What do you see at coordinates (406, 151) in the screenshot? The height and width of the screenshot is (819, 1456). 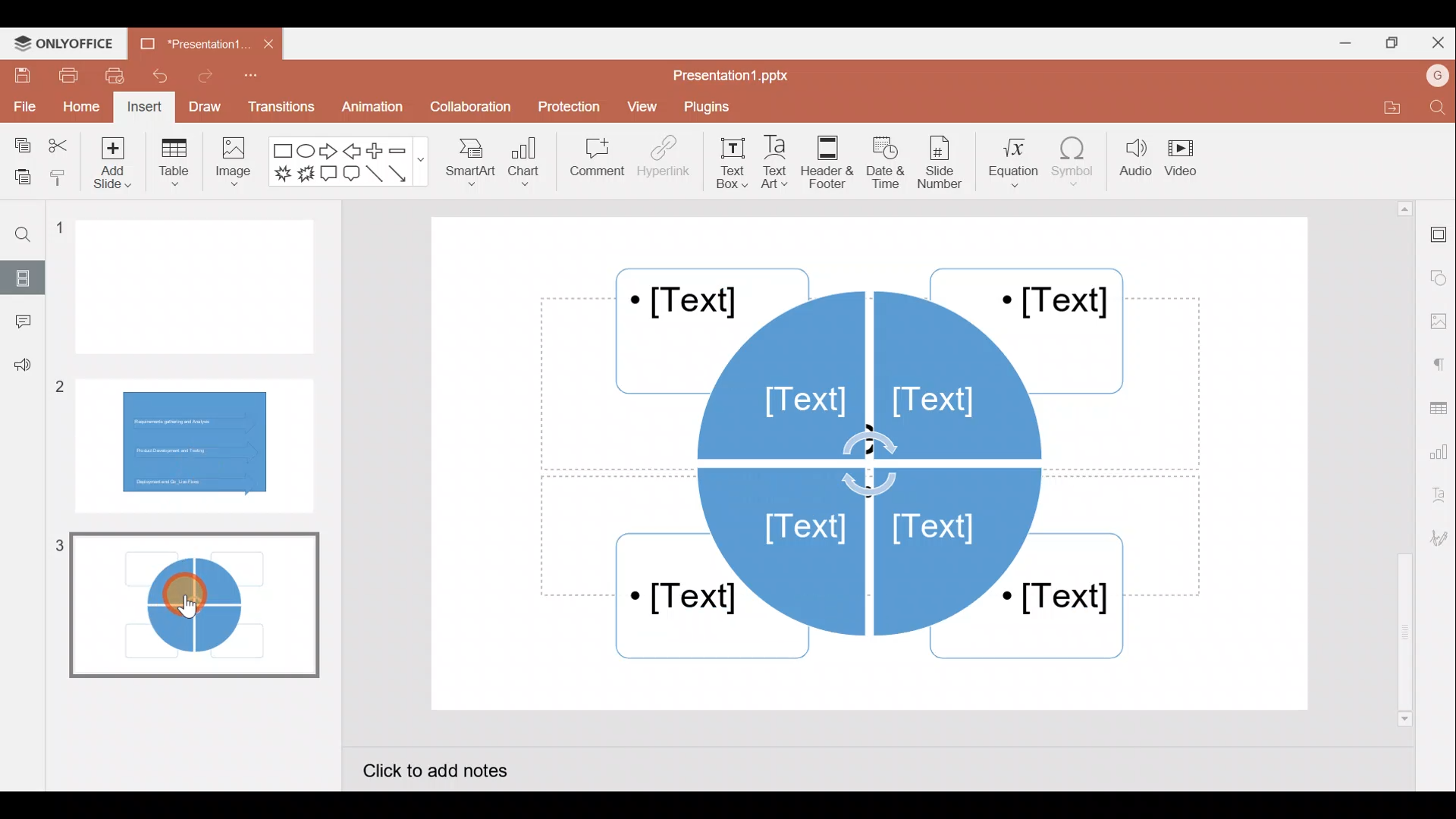 I see `Minus` at bounding box center [406, 151].